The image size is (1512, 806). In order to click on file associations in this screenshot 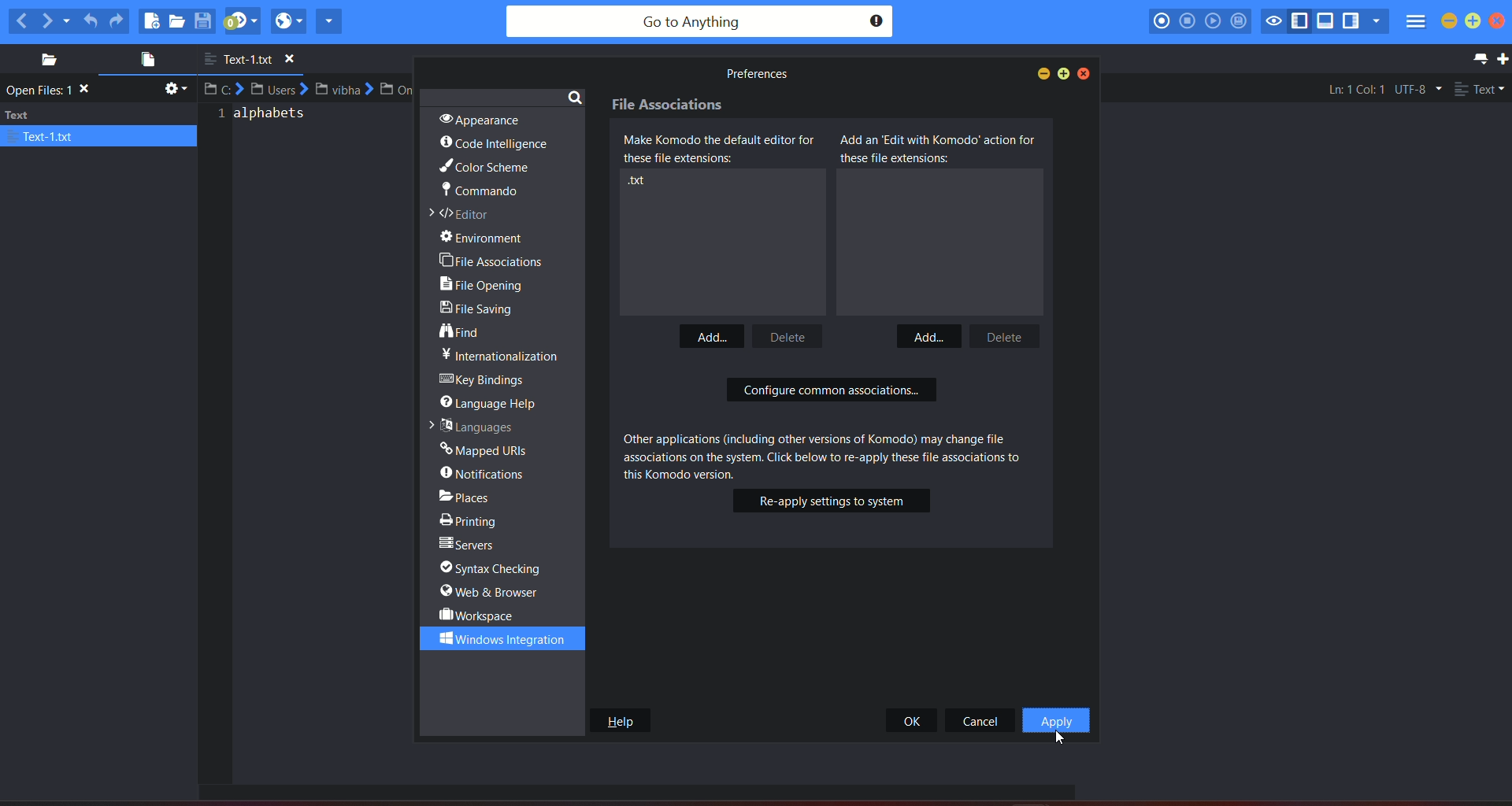, I will do `click(492, 260)`.